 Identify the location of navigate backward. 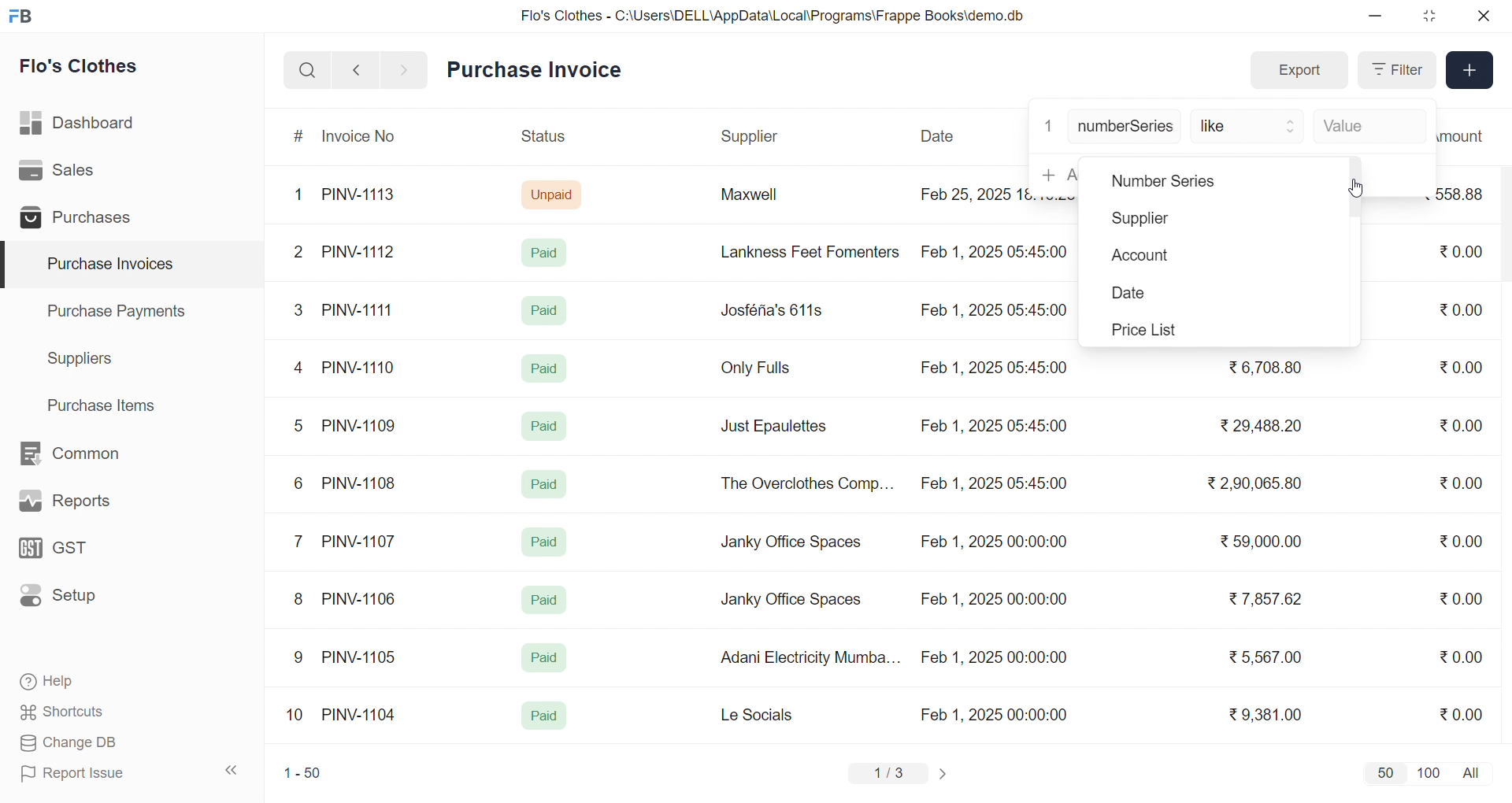
(356, 69).